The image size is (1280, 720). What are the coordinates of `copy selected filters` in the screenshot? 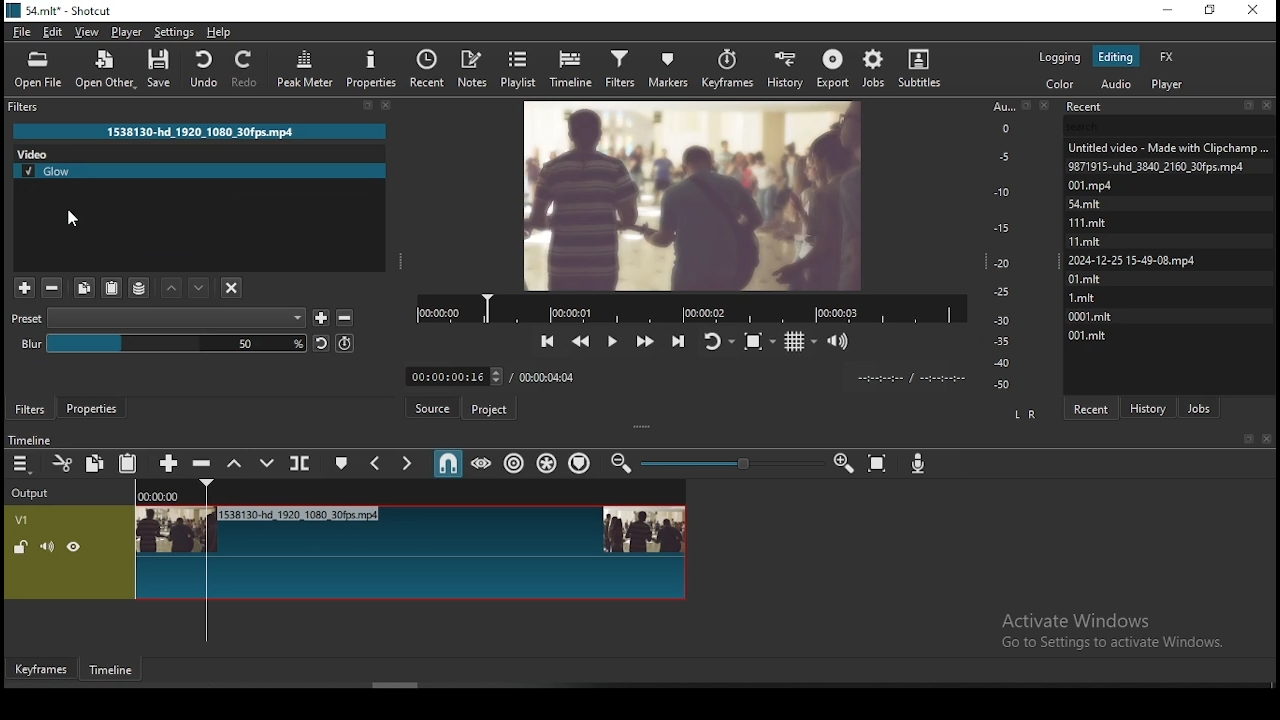 It's located at (82, 288).